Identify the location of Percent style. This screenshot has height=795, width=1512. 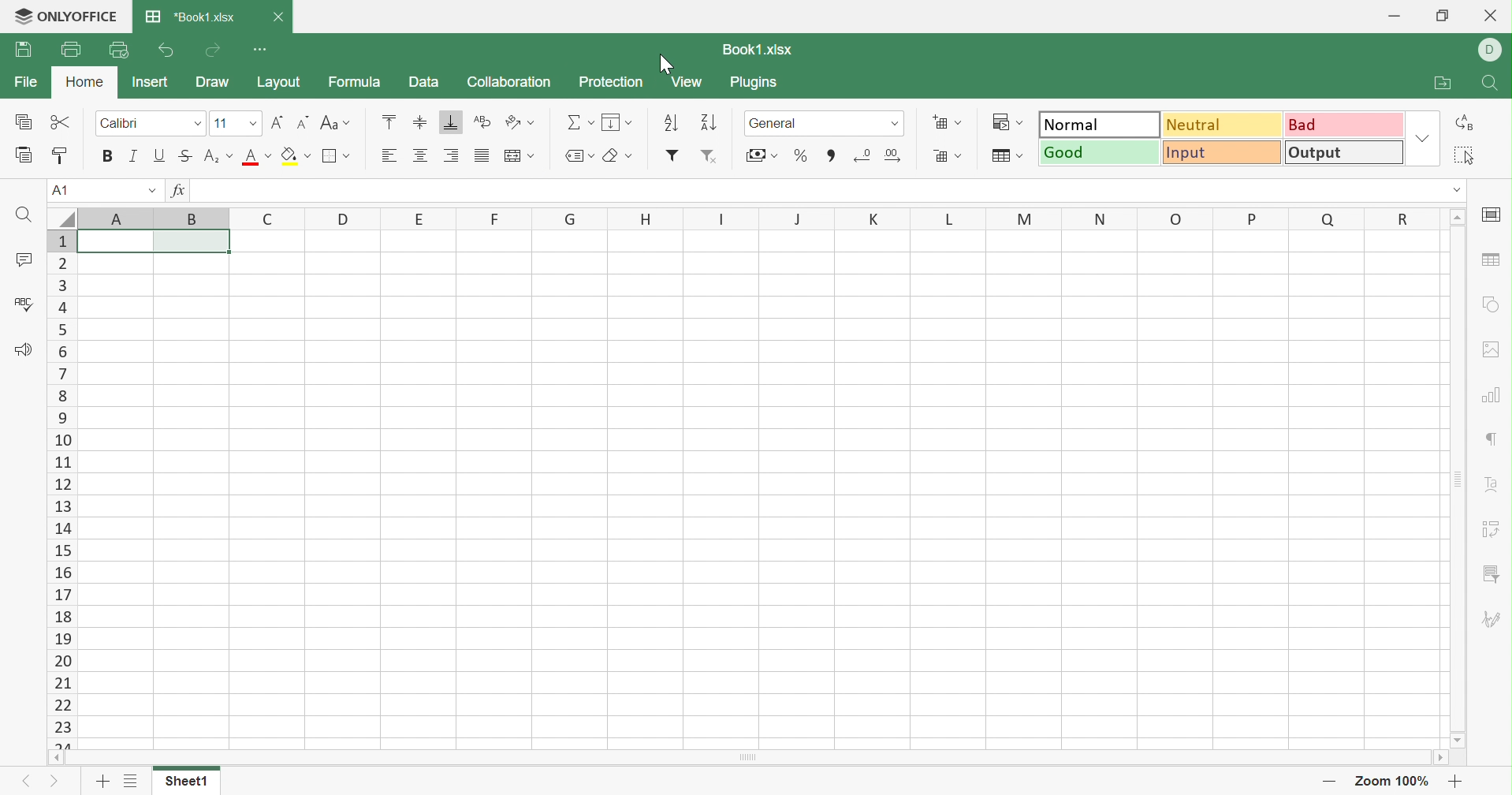
(797, 158).